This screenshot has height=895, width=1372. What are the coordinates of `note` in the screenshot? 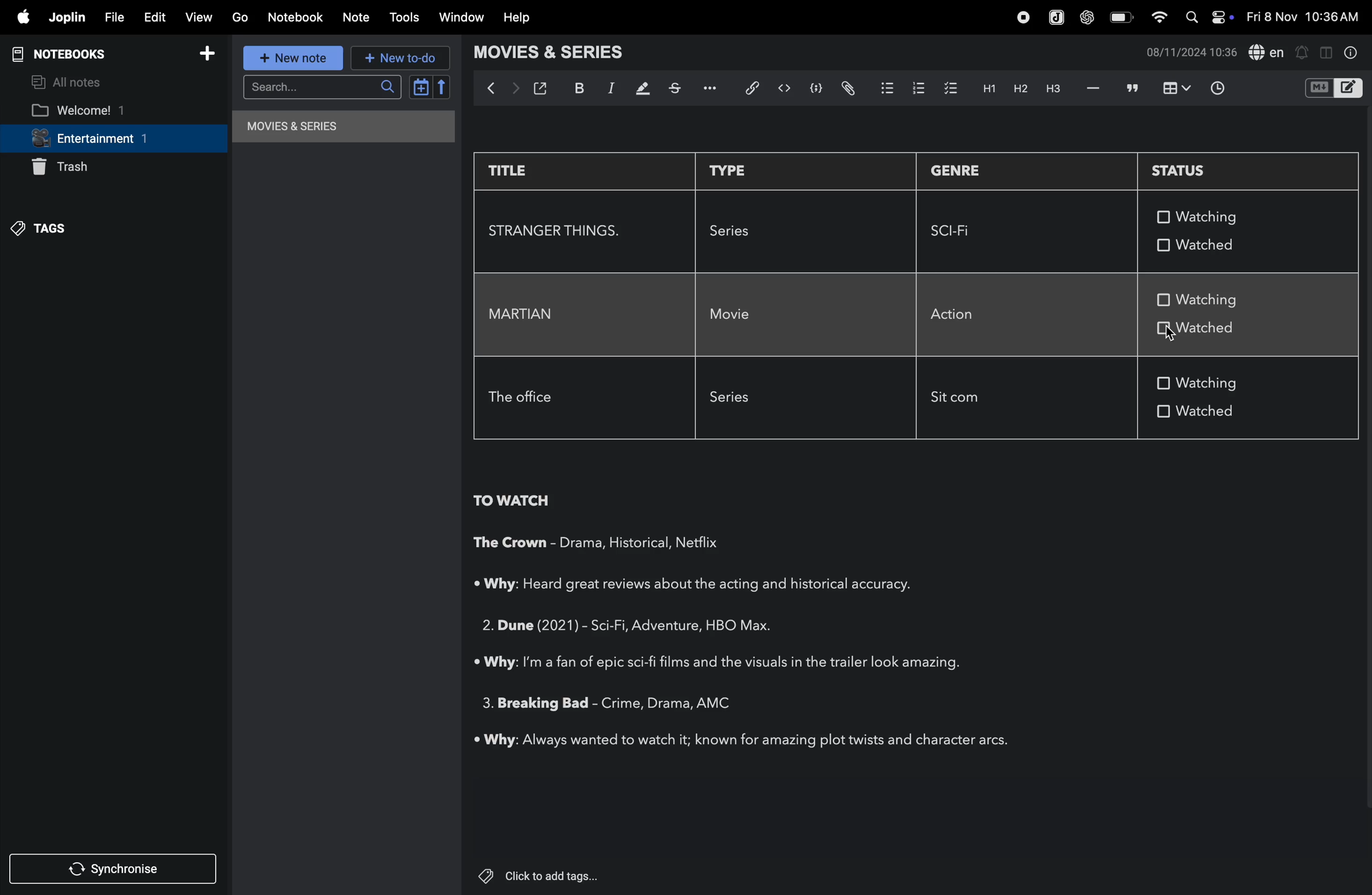 It's located at (357, 20).